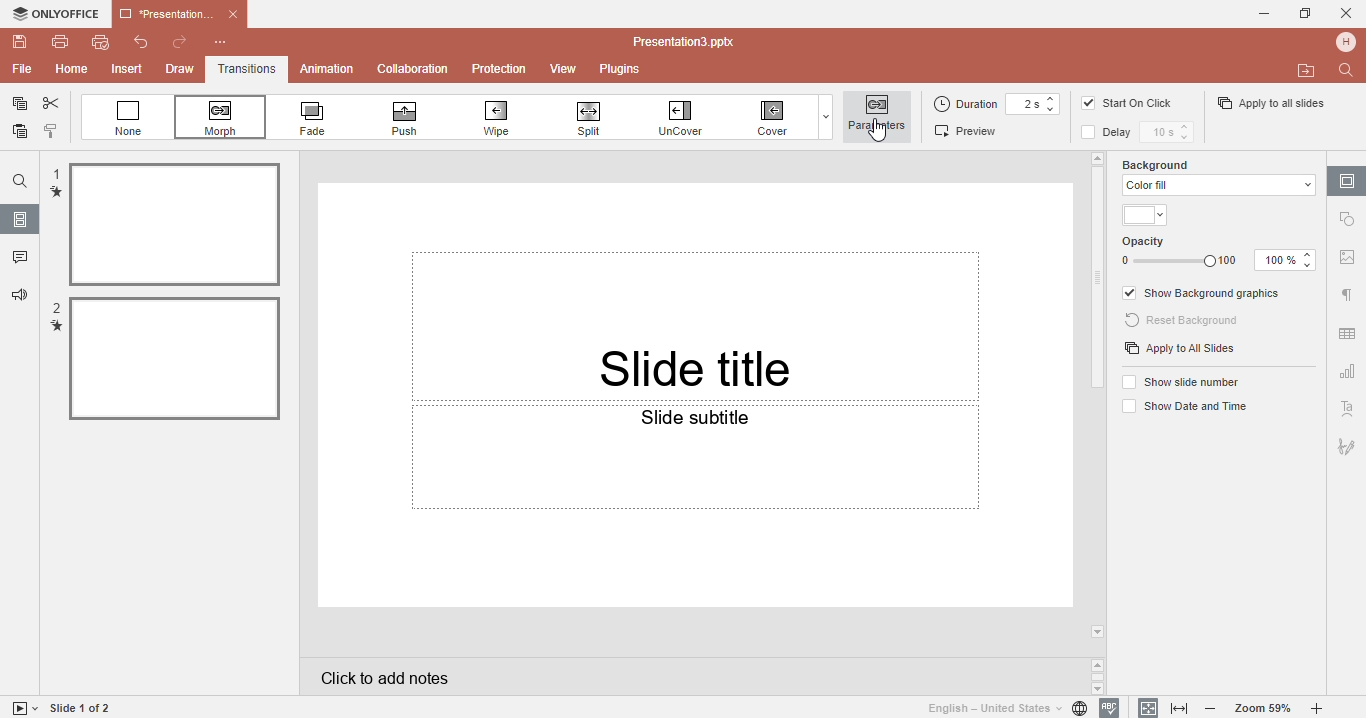  What do you see at coordinates (999, 104) in the screenshot?
I see `Duration` at bounding box center [999, 104].